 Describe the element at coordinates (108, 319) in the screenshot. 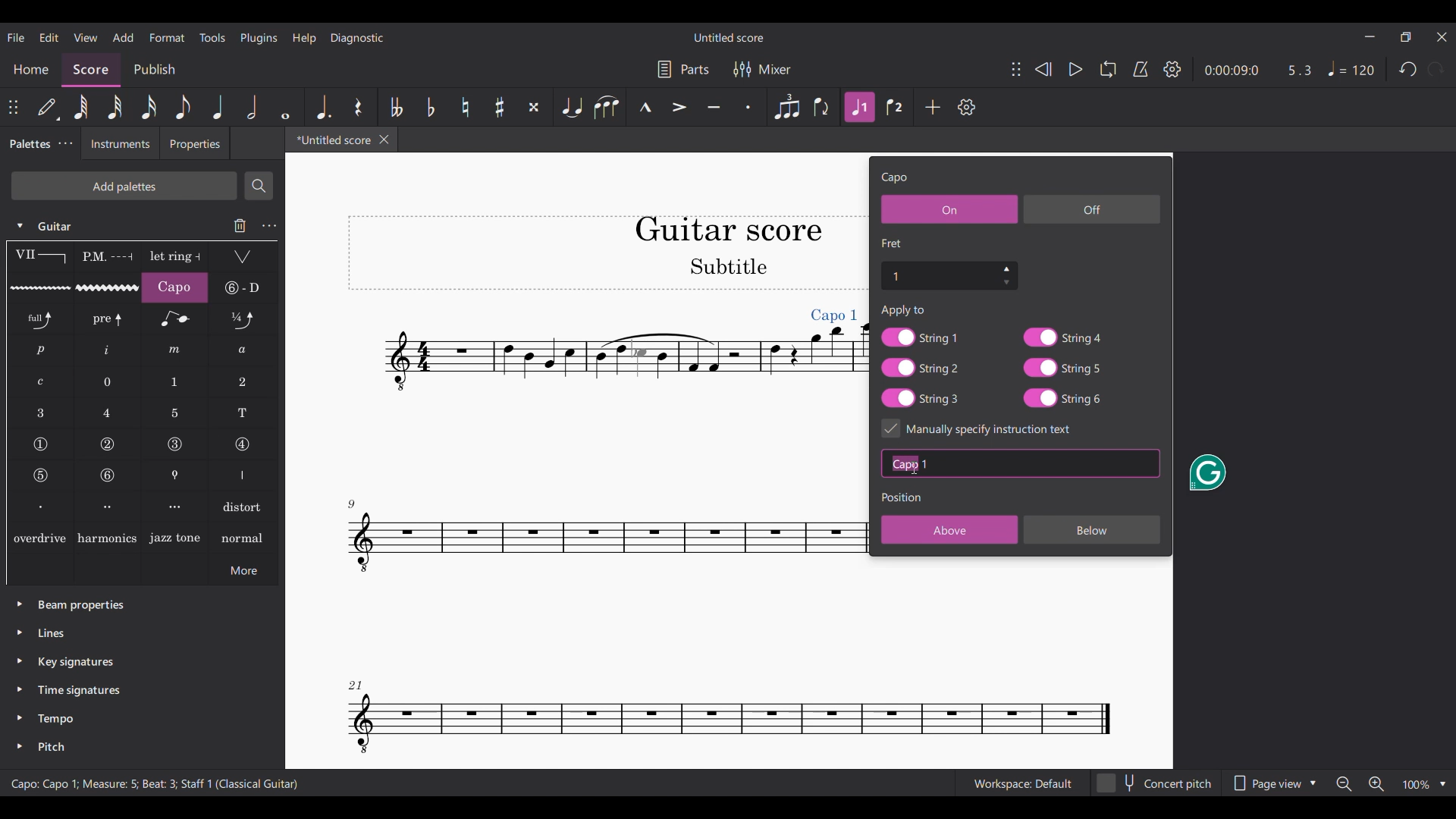

I see `Pre-bend` at that location.